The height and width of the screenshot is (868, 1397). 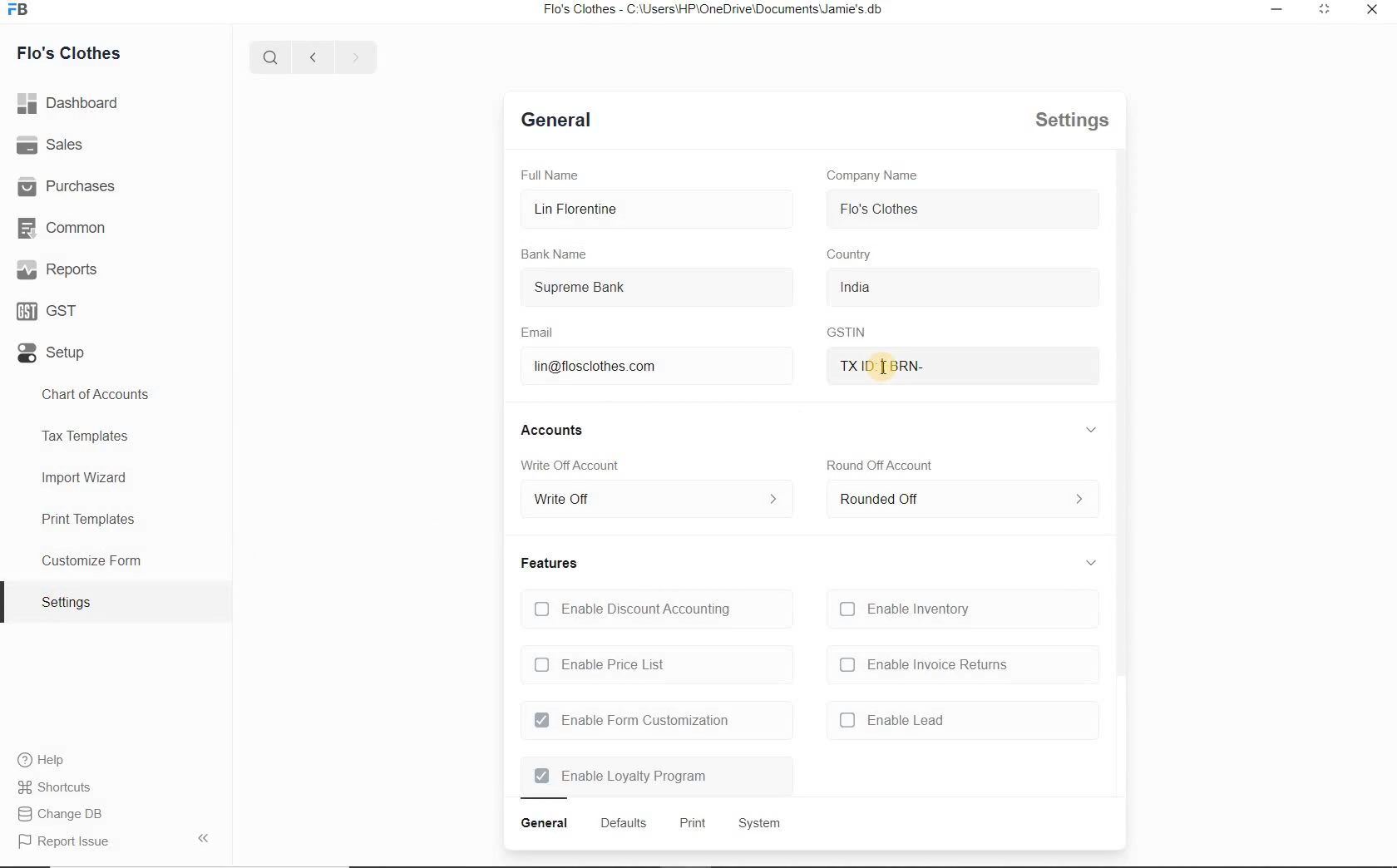 I want to click on write off, so click(x=654, y=501).